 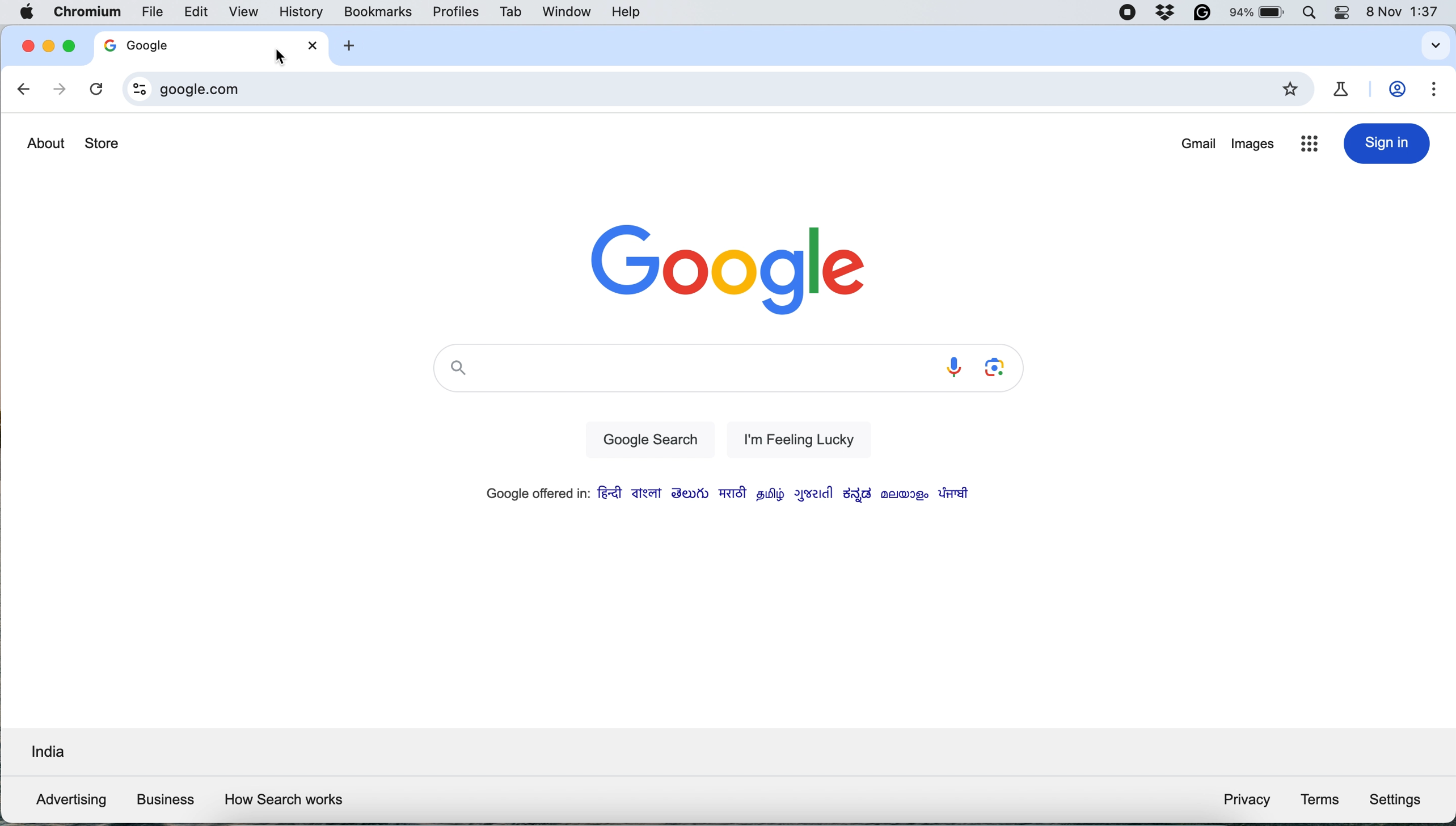 What do you see at coordinates (301, 12) in the screenshot?
I see `history` at bounding box center [301, 12].